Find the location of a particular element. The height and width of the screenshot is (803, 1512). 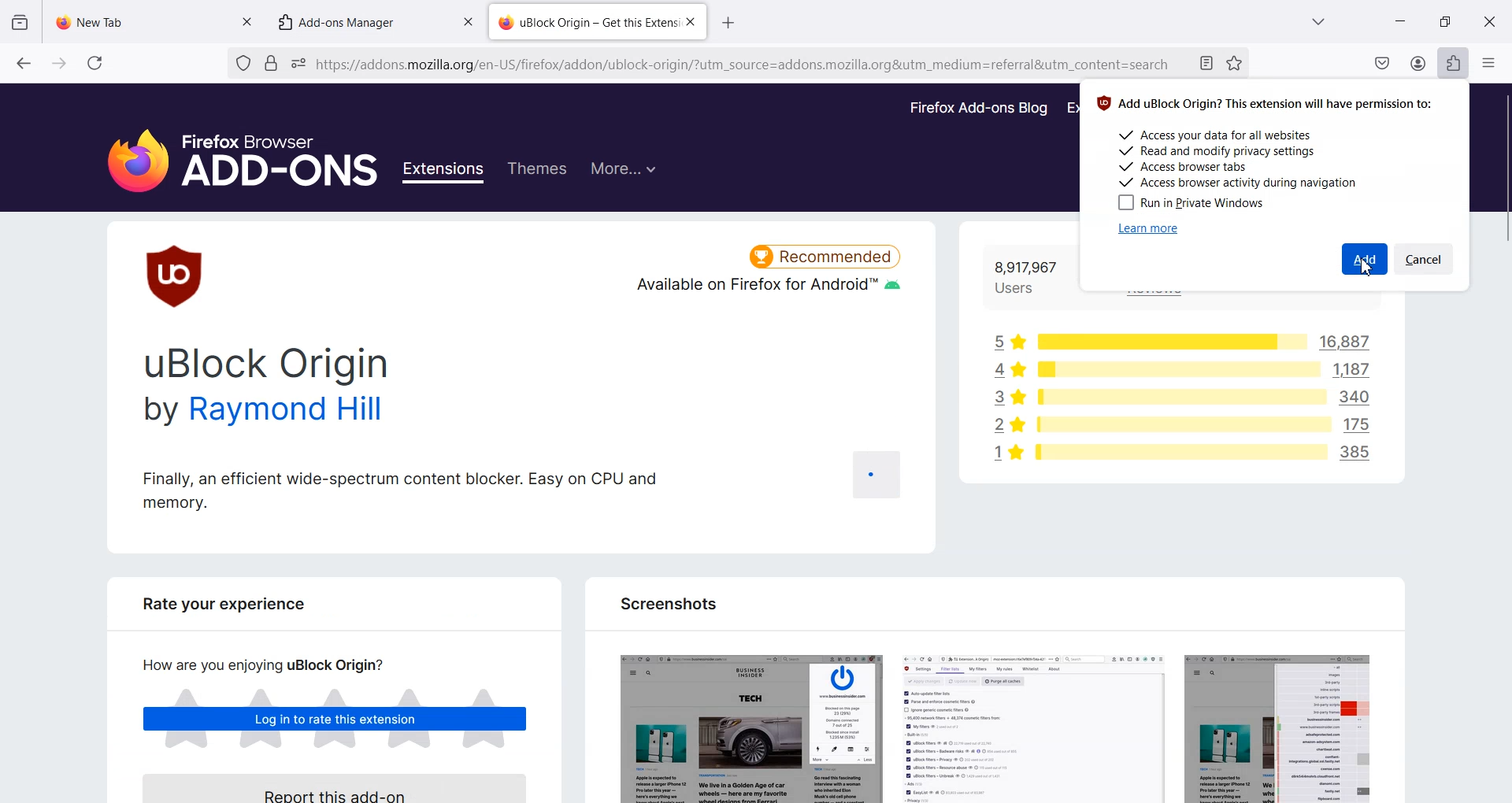

1 star rating is located at coordinates (1002, 456).